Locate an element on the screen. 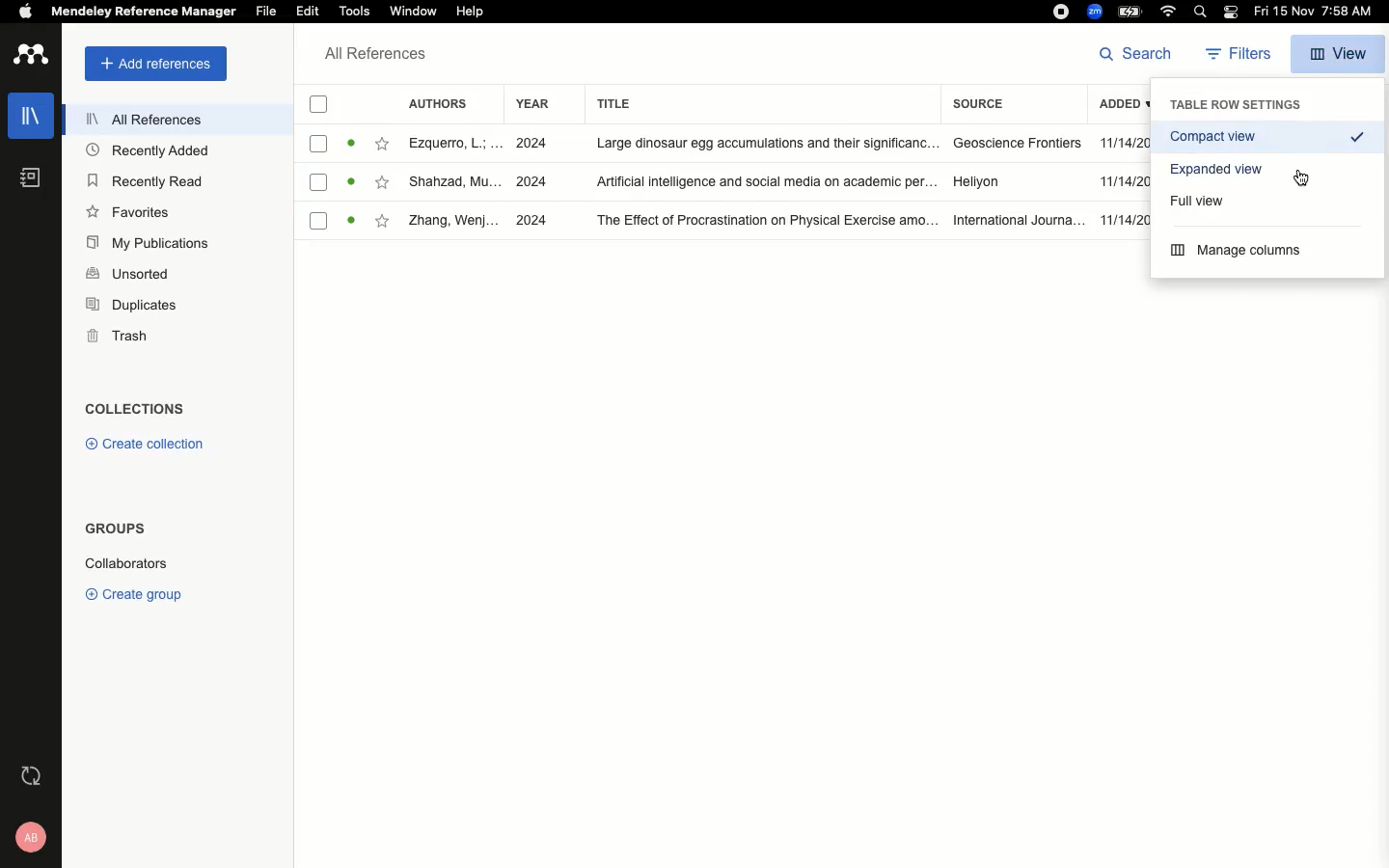  Checkbox is located at coordinates (313, 103).